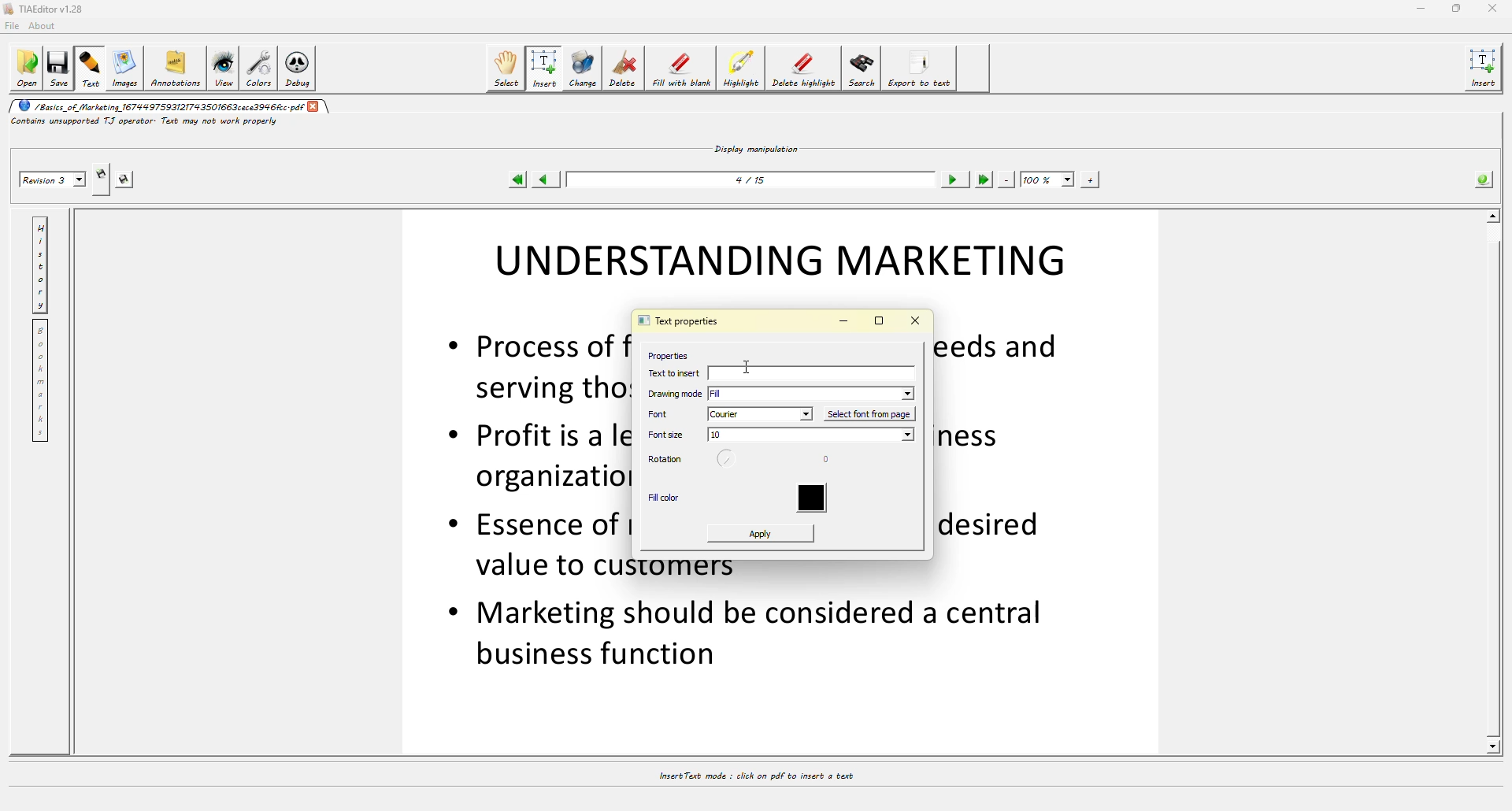 The width and height of the screenshot is (1512, 811). I want to click on history, so click(40, 262).